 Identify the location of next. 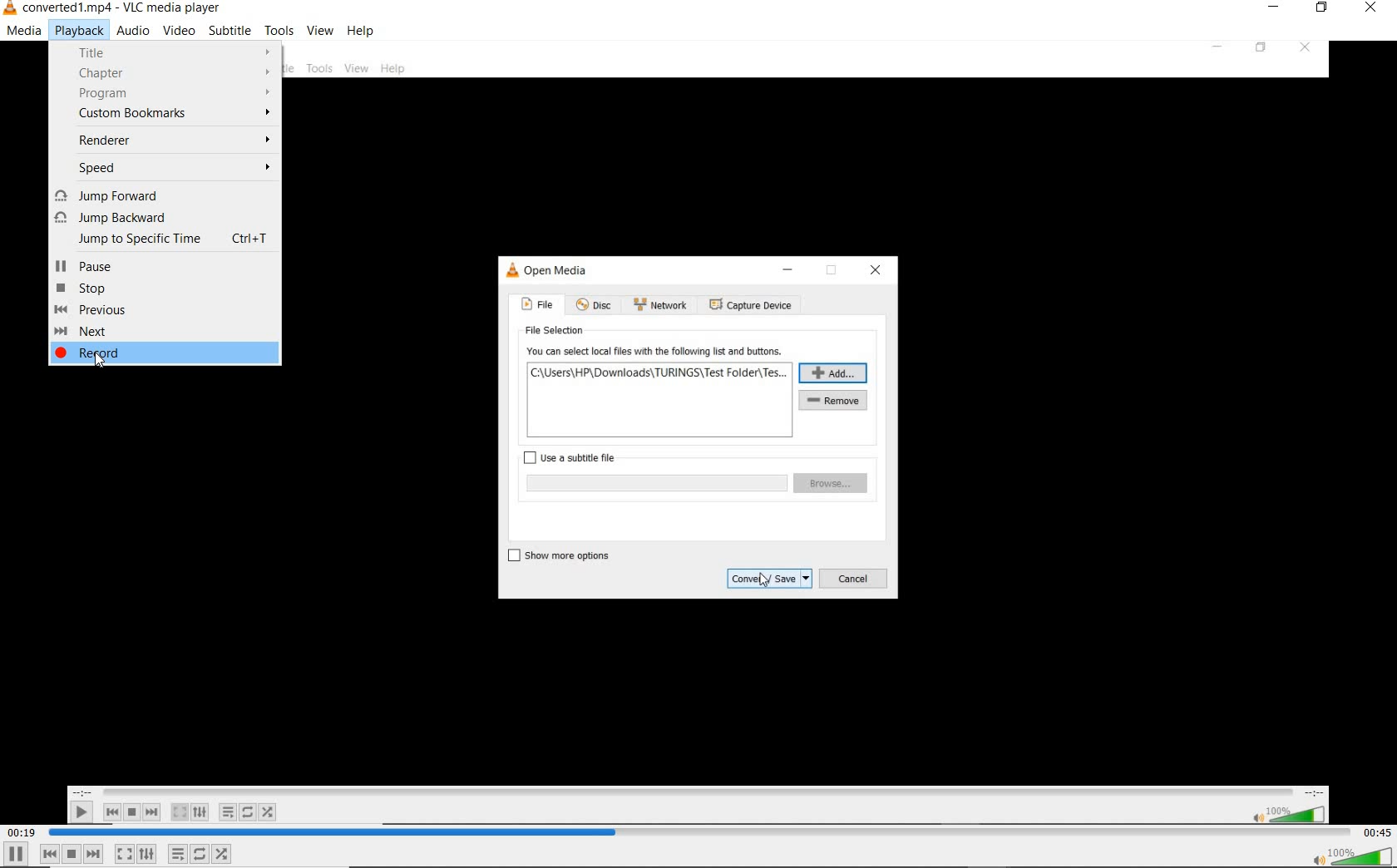
(93, 331).